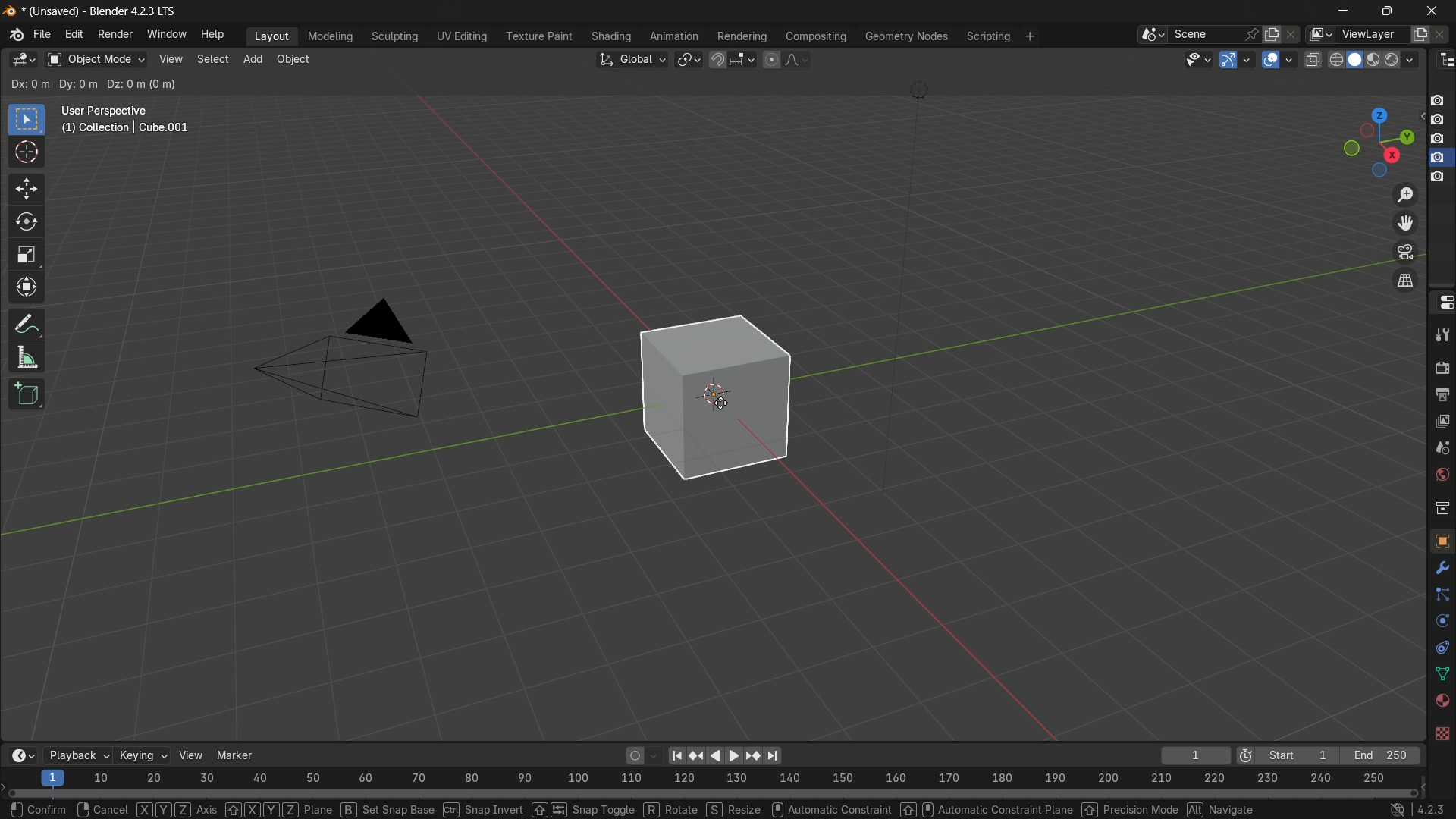  I want to click on 3D viewport, so click(24, 61).